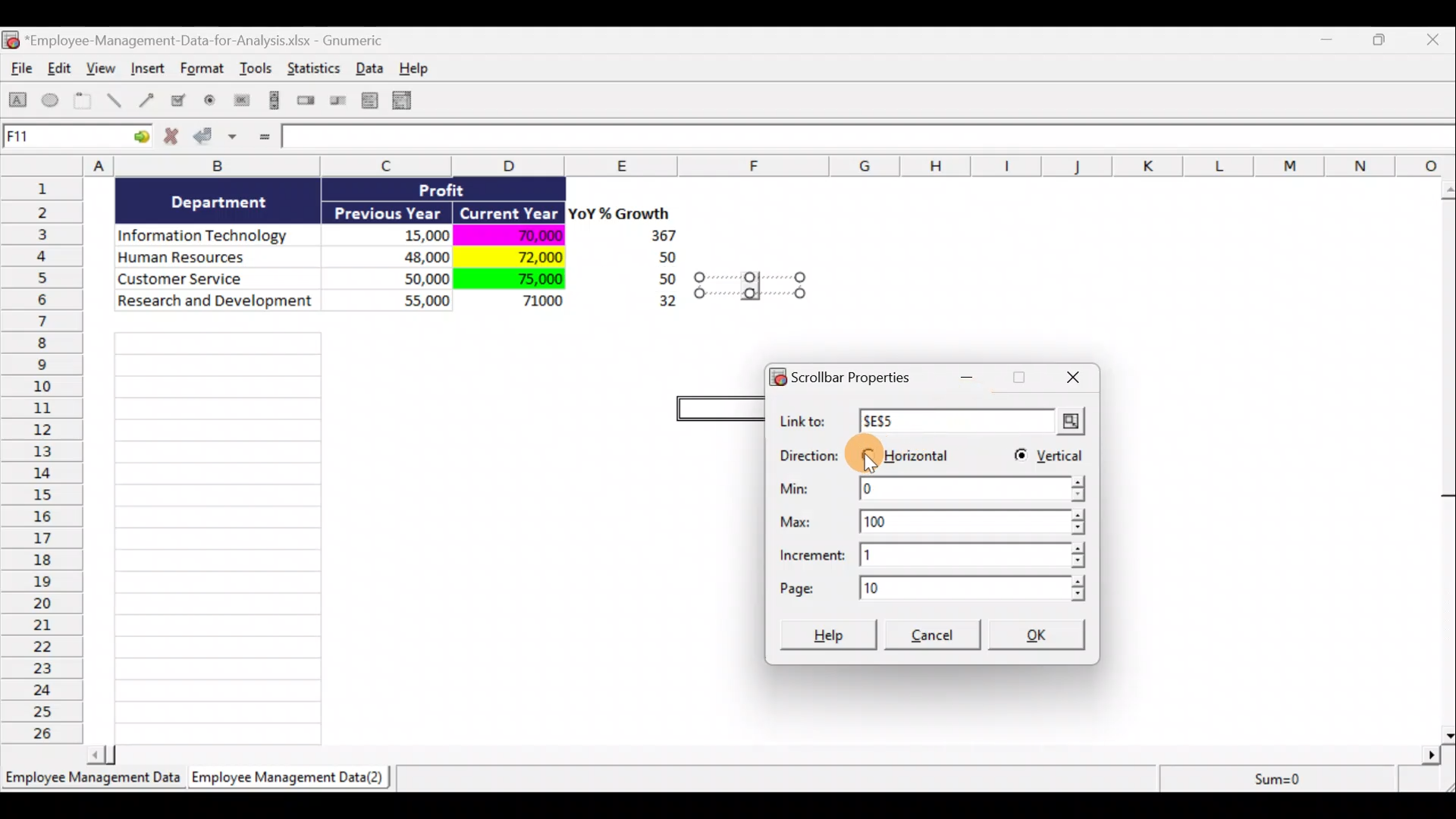 The height and width of the screenshot is (819, 1456). What do you see at coordinates (218, 142) in the screenshot?
I see `Accept changes` at bounding box center [218, 142].